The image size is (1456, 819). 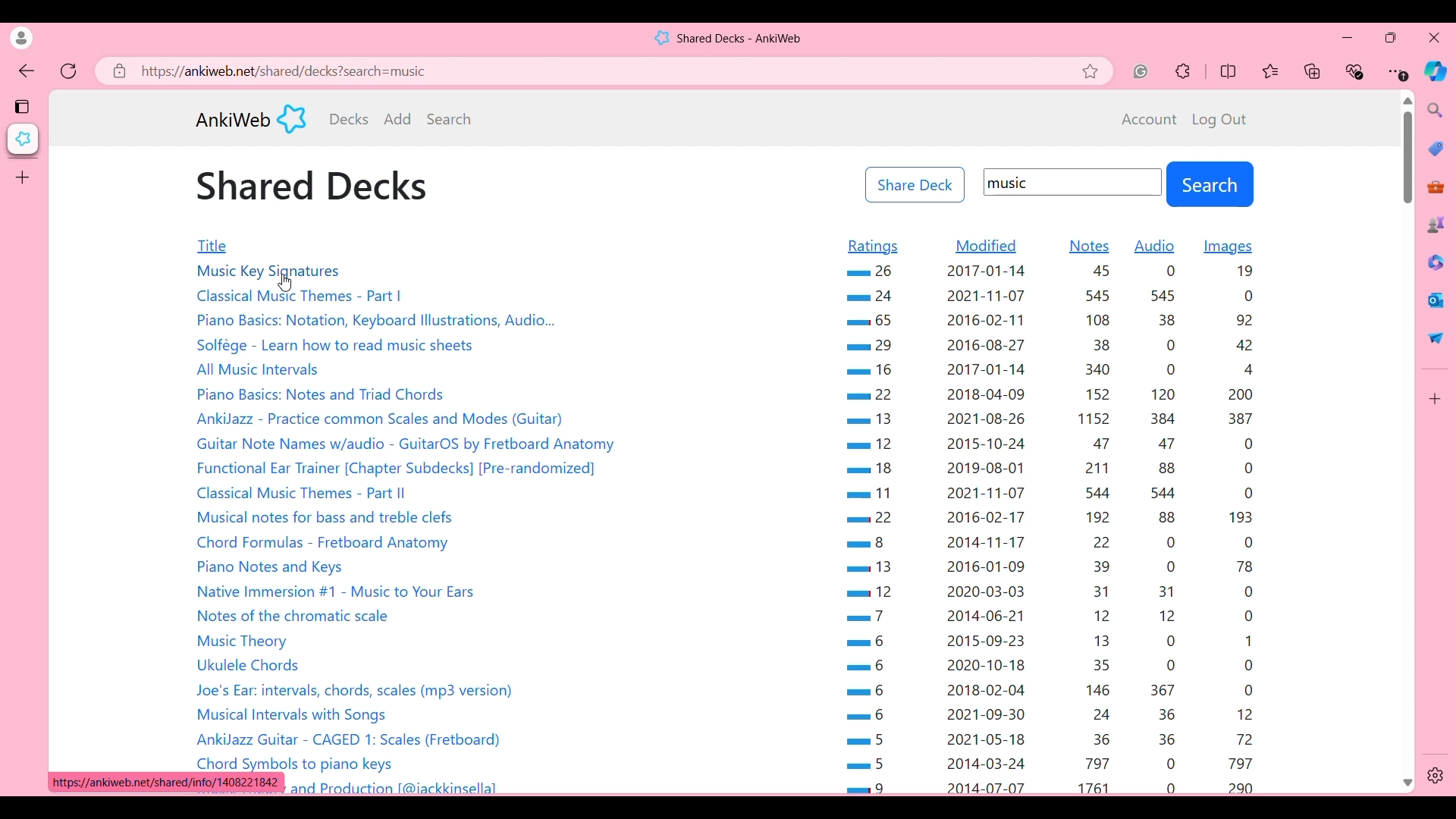 I want to click on Quick share options by browser, so click(x=1436, y=337).